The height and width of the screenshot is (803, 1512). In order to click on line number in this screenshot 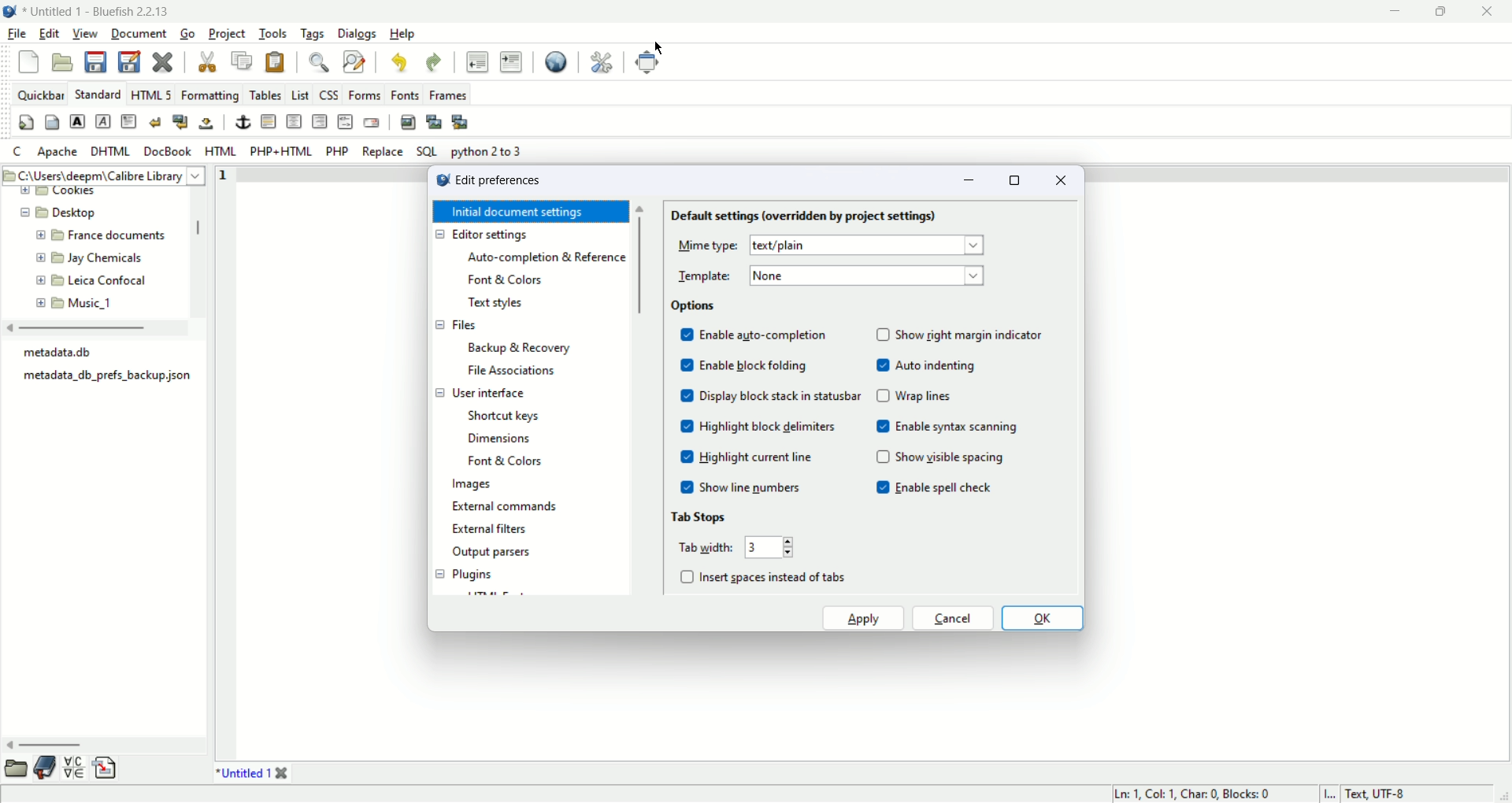, I will do `click(223, 176)`.